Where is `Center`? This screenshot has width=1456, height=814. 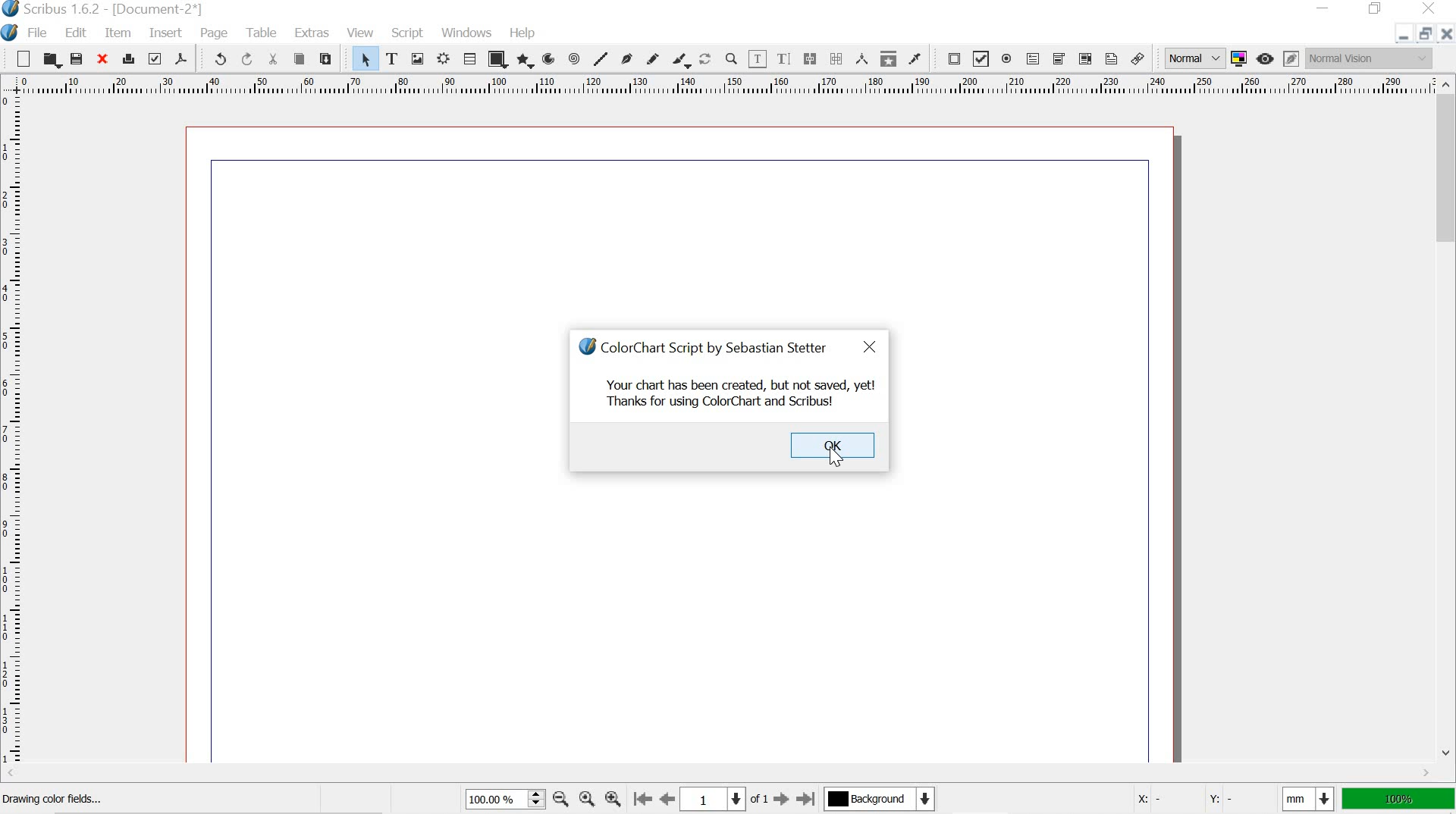 Center is located at coordinates (585, 799).